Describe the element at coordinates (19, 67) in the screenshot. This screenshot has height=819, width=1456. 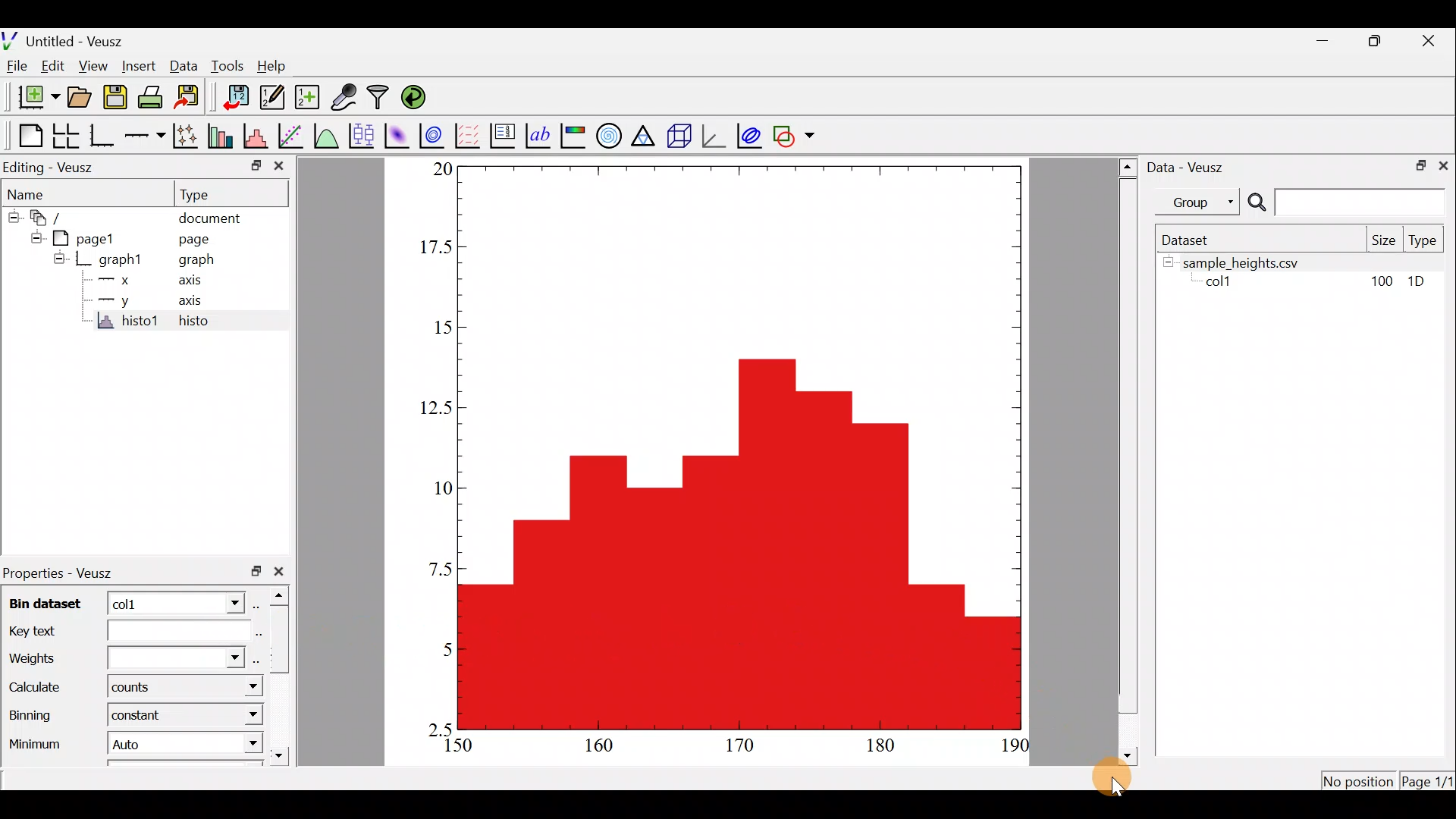
I see `File` at that location.